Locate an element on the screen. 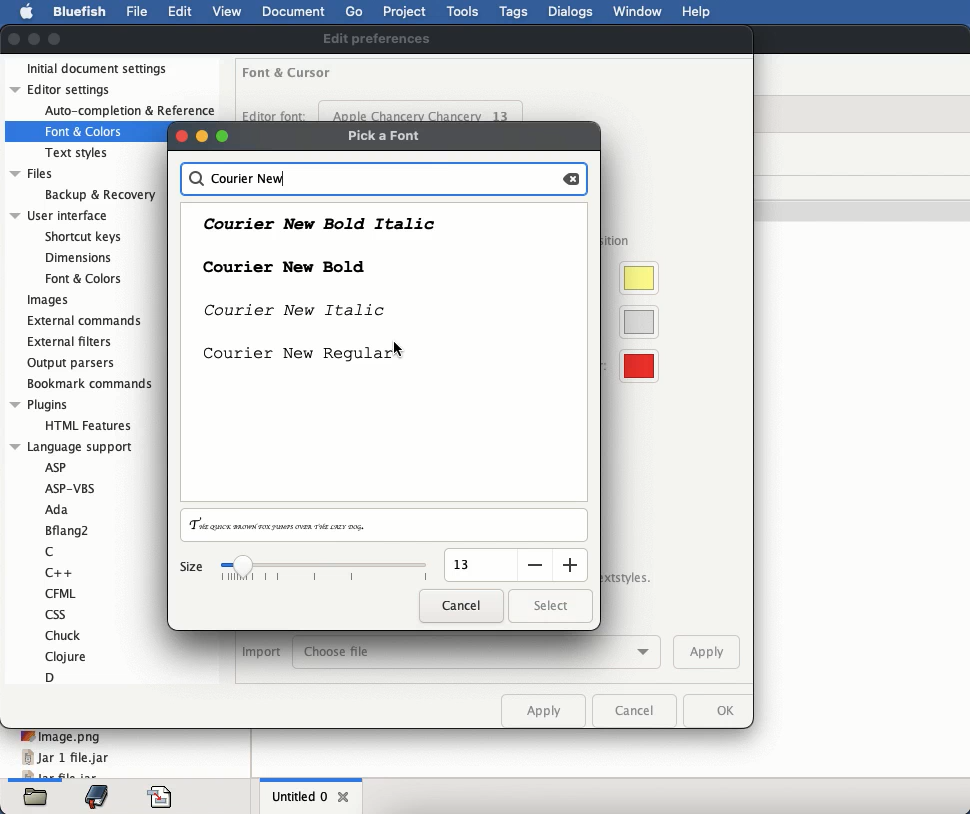 This screenshot has height=814, width=970. code is located at coordinates (162, 797).